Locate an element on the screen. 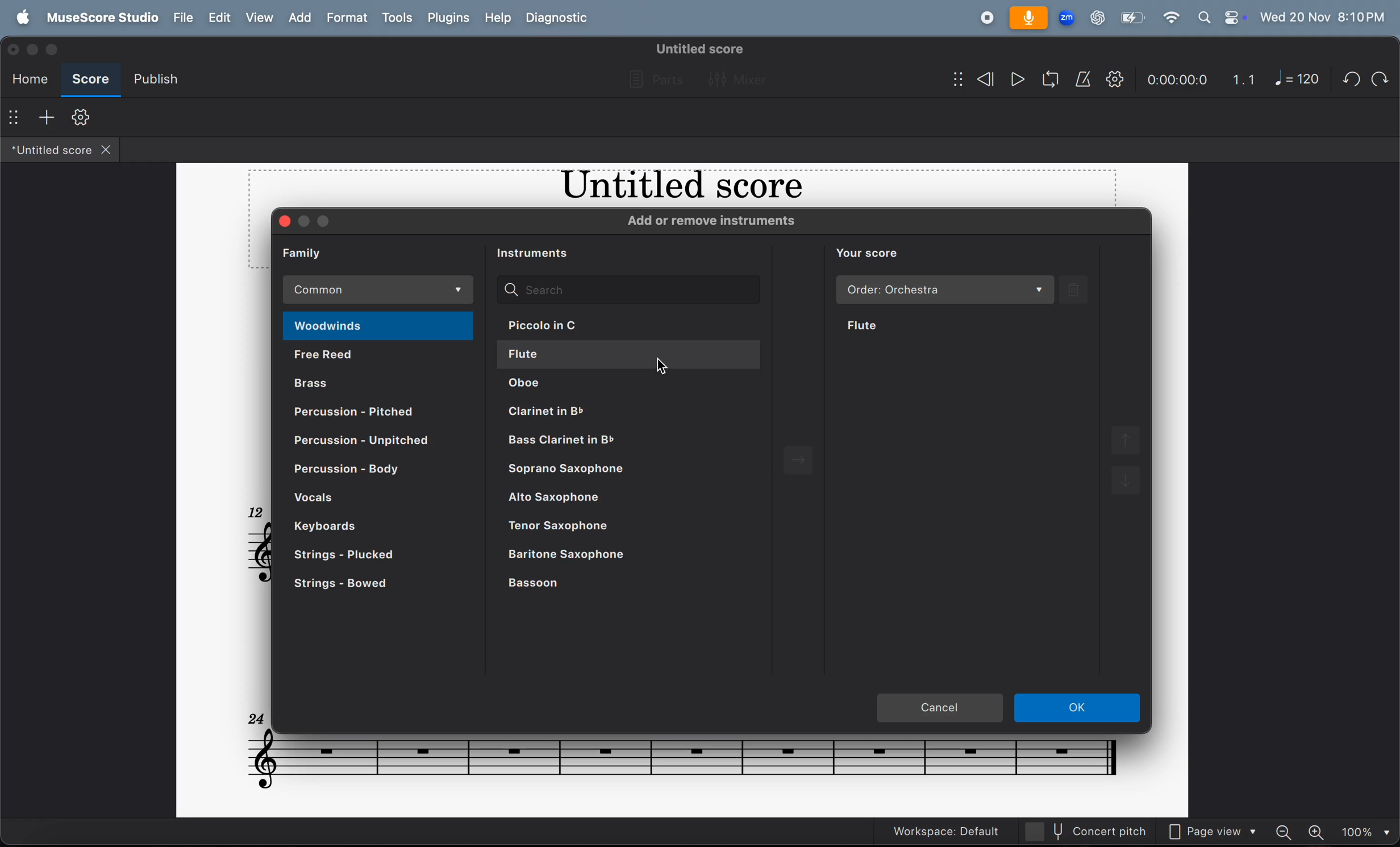 The image size is (1400, 847). add or remove instruments is located at coordinates (721, 222).